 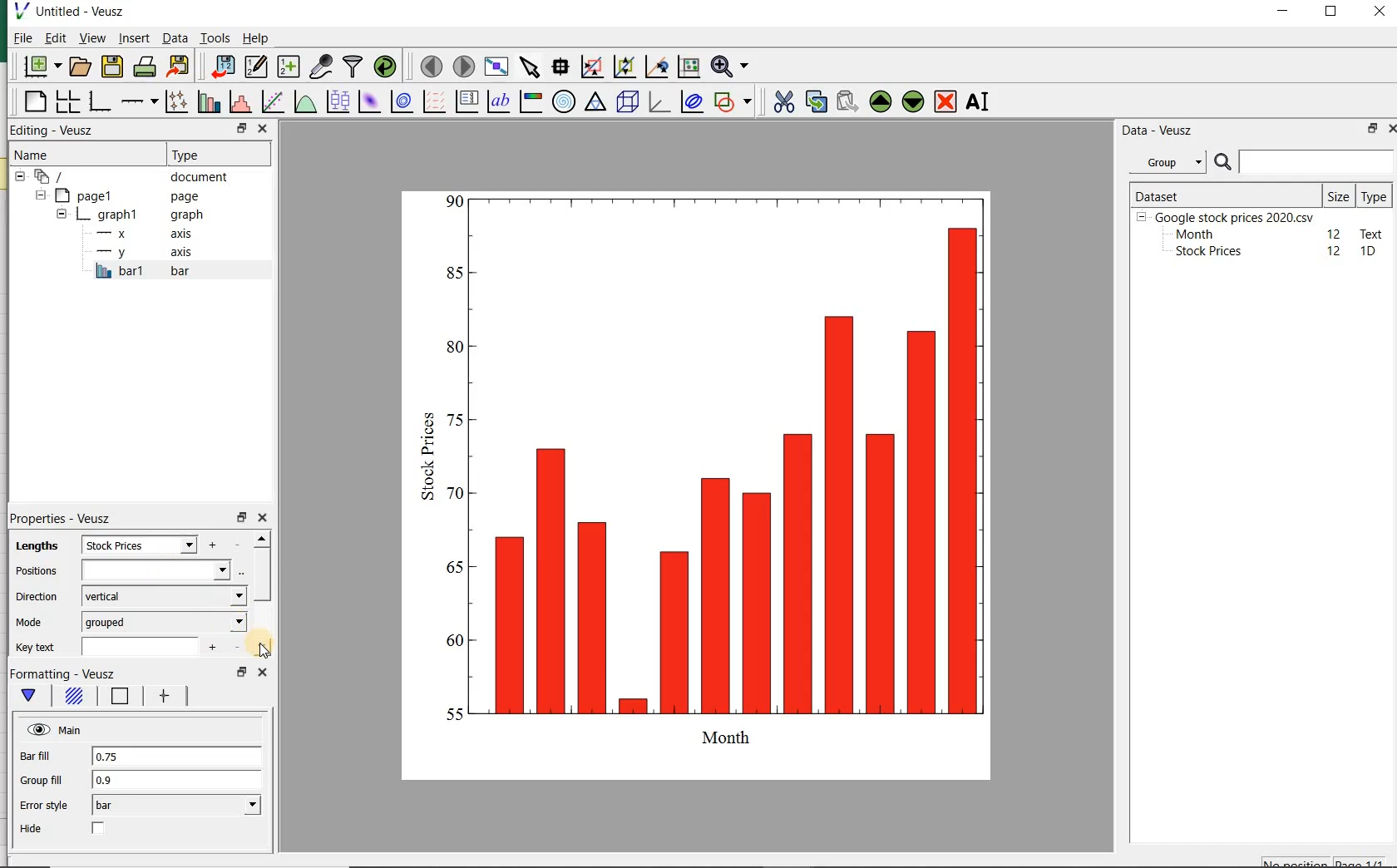 I want to click on 0.75, so click(x=178, y=757).